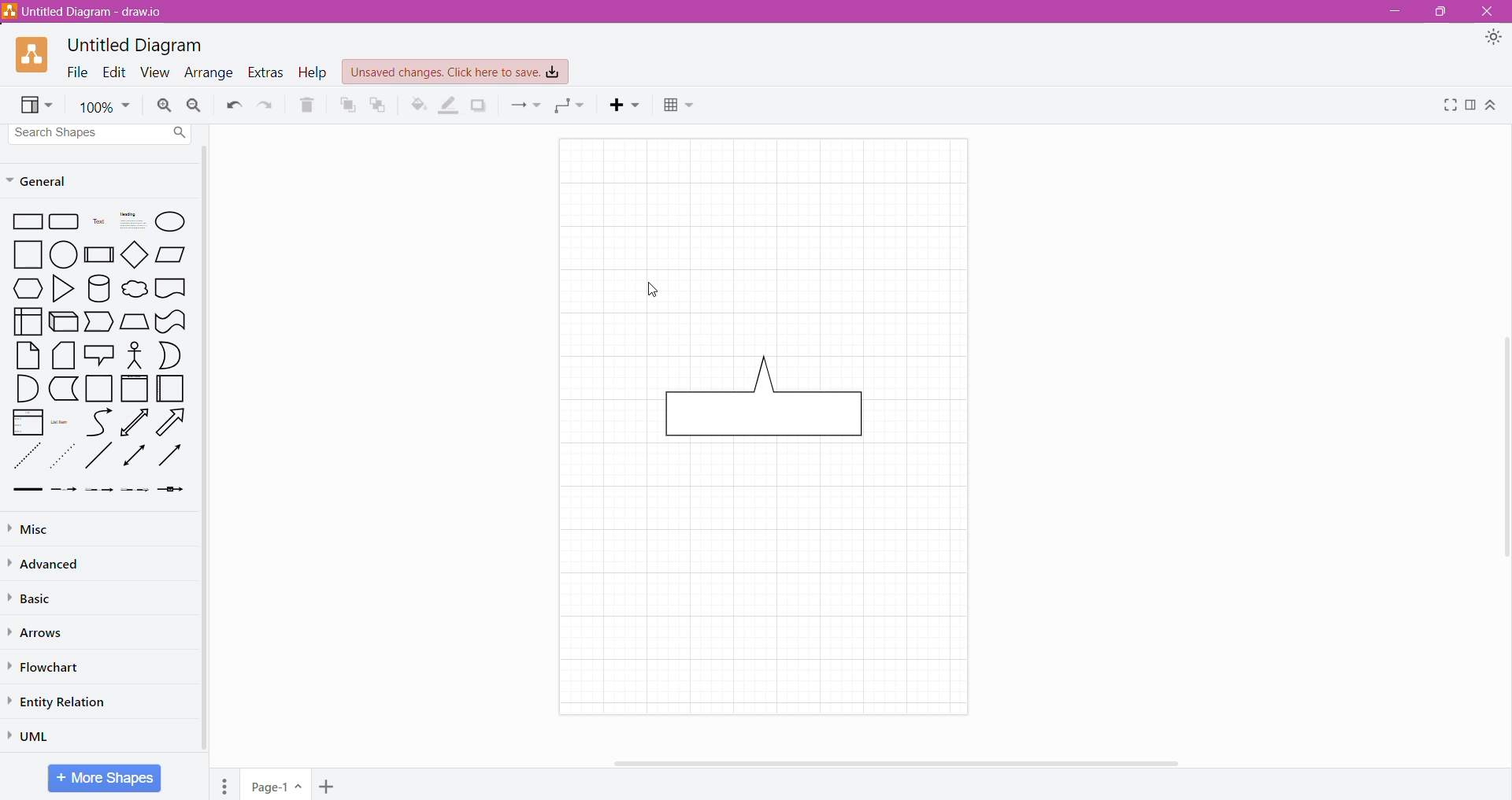  I want to click on Insert, so click(626, 106).